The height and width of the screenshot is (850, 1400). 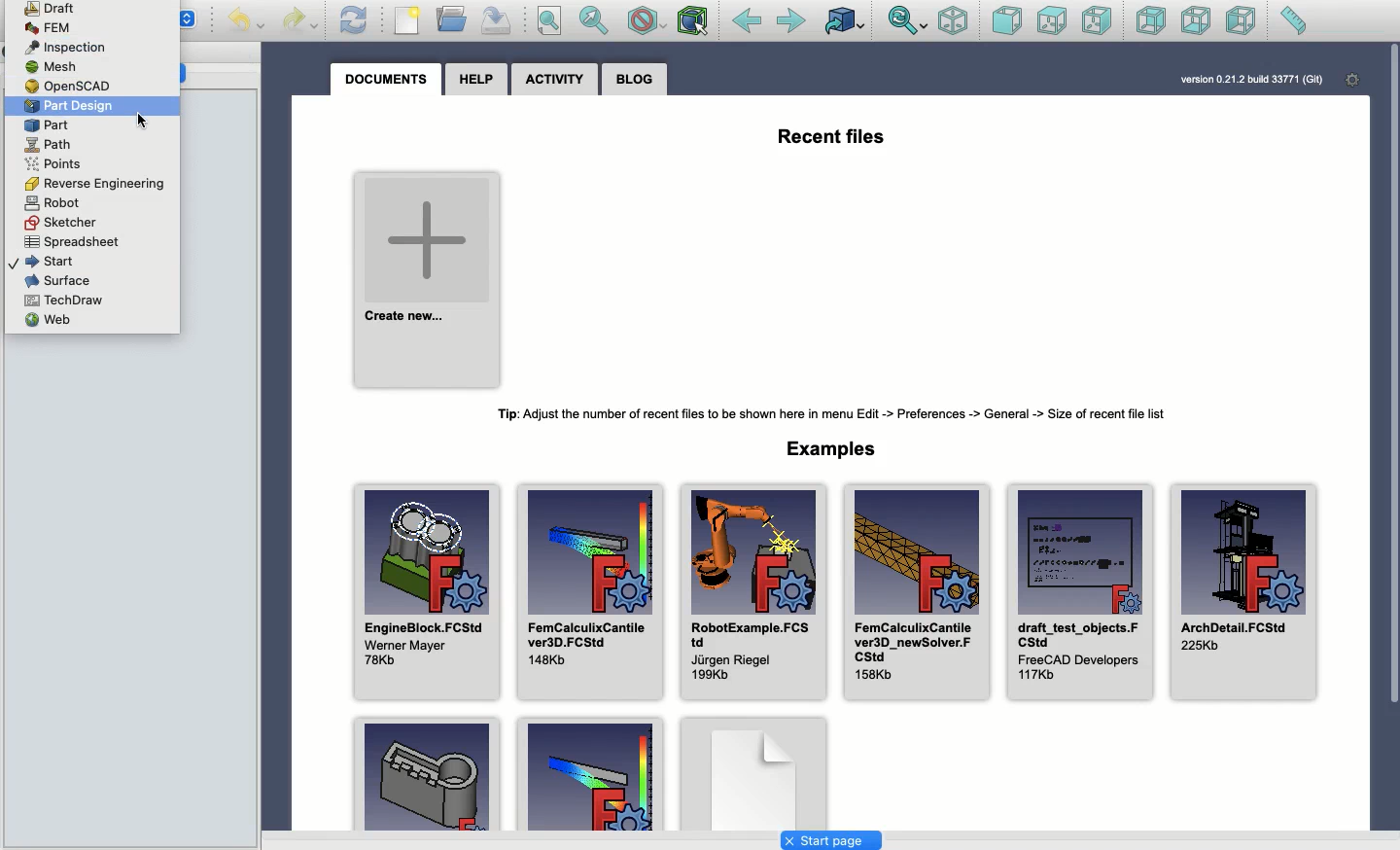 I want to click on Example 3, so click(x=753, y=772).